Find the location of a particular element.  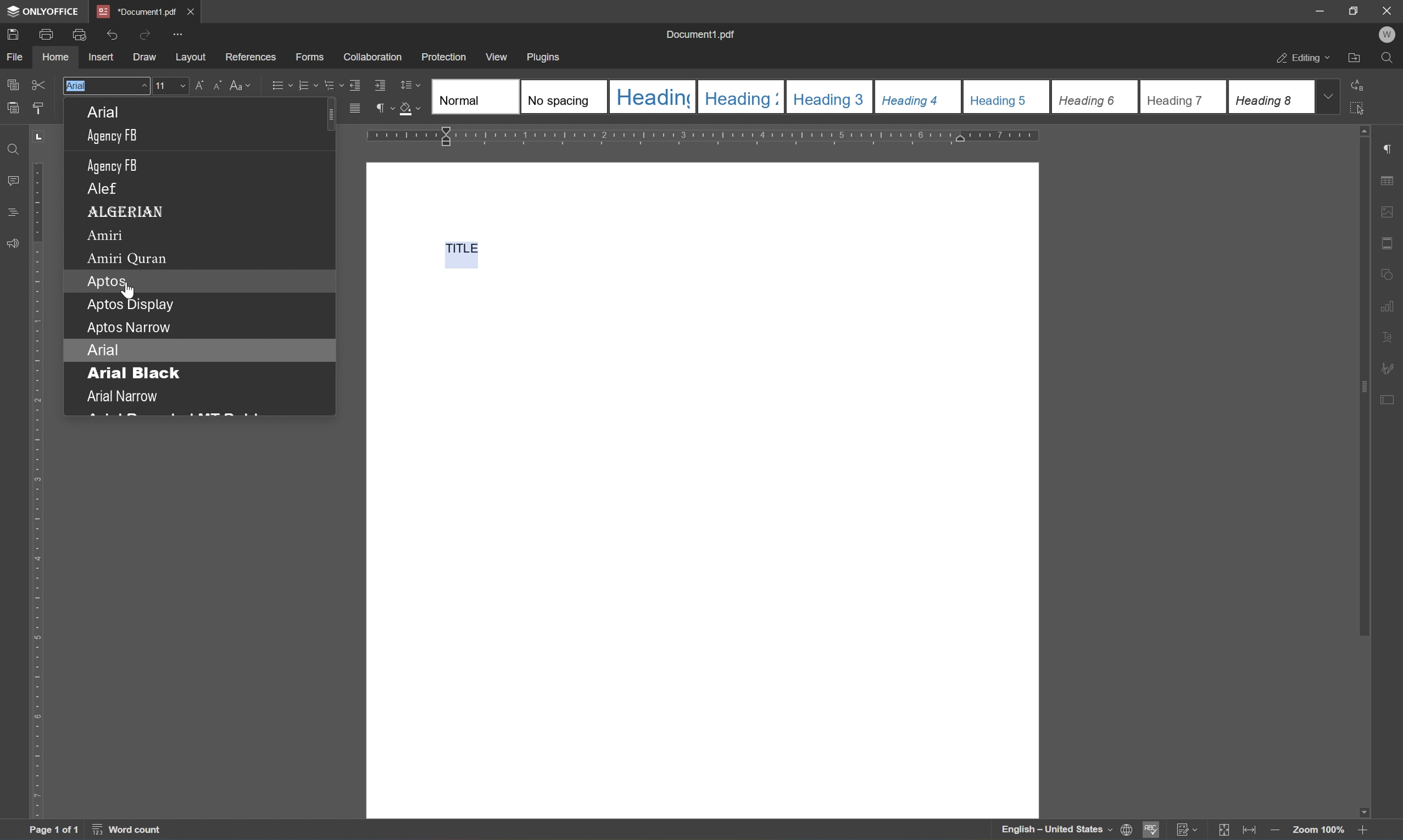

Increment font size is located at coordinates (198, 84).